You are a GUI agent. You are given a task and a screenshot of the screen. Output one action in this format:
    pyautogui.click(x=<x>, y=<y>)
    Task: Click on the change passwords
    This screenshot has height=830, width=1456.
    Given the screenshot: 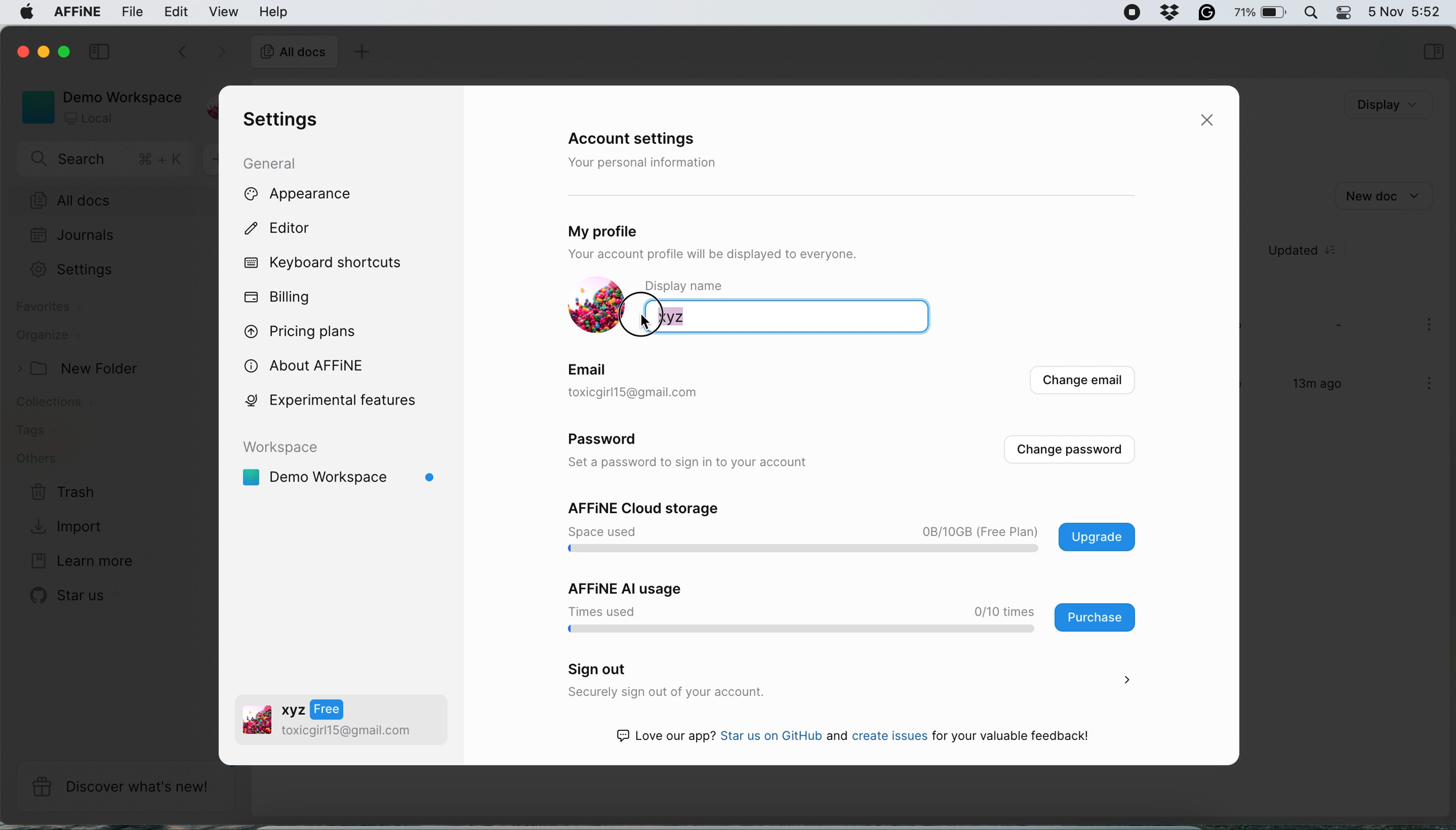 What is the action you would take?
    pyautogui.click(x=1069, y=450)
    